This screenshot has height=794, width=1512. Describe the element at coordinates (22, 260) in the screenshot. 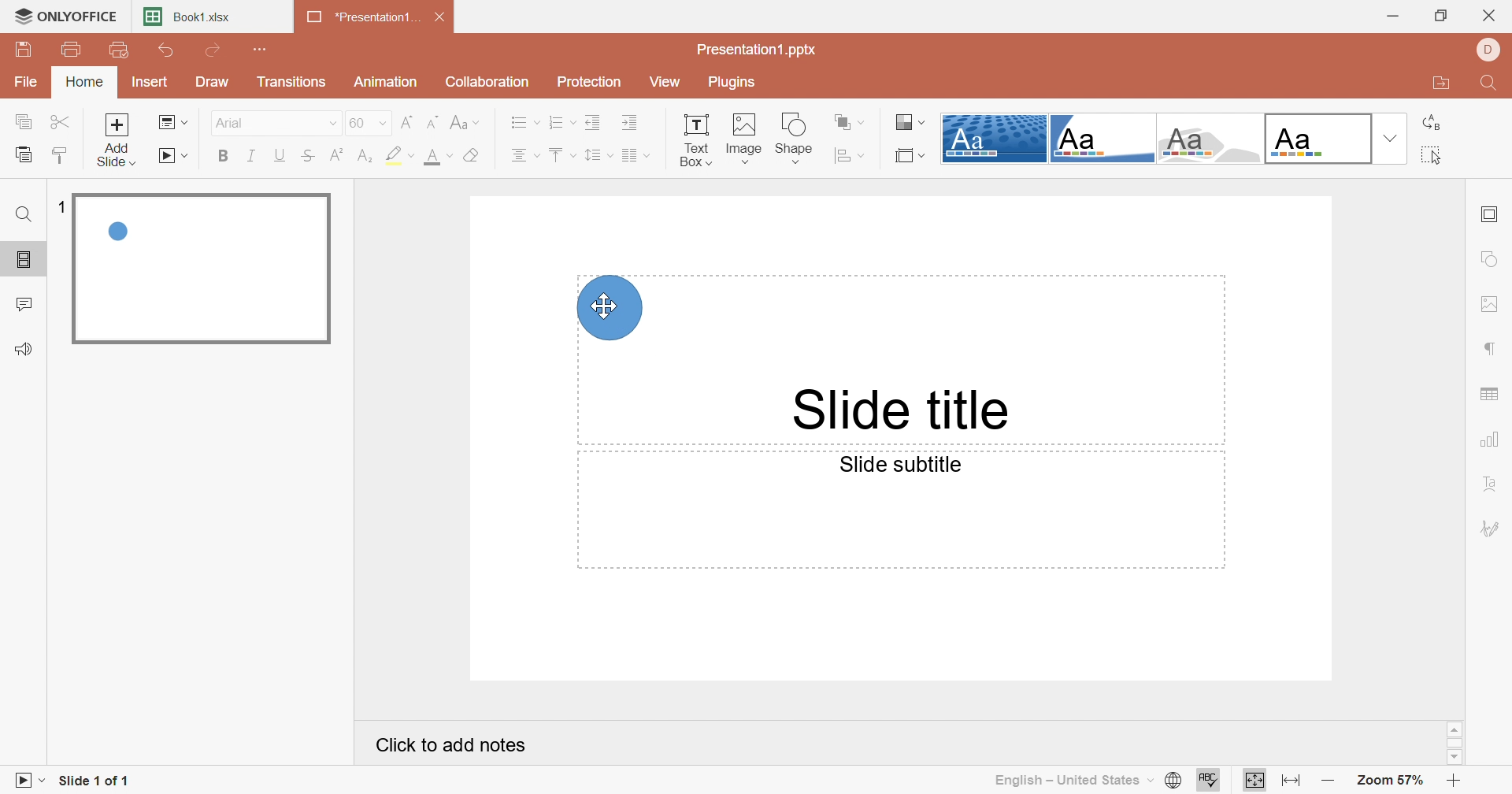

I see `Slides` at that location.